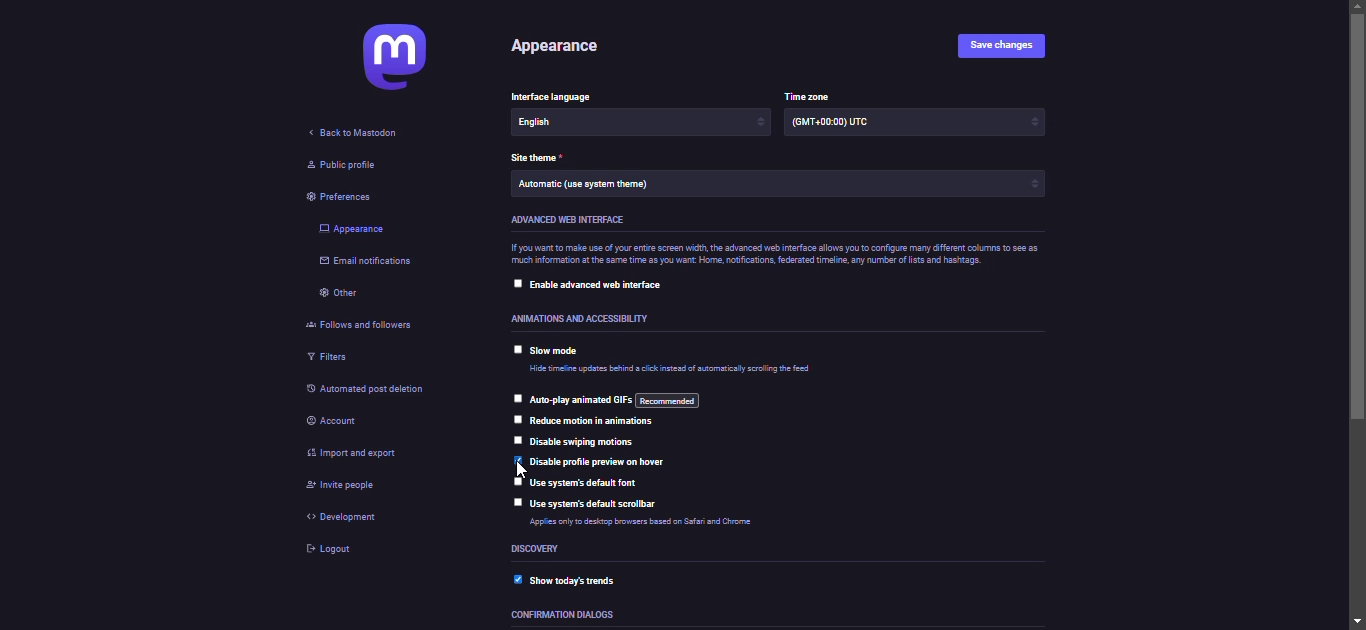  I want to click on theme, so click(541, 156).